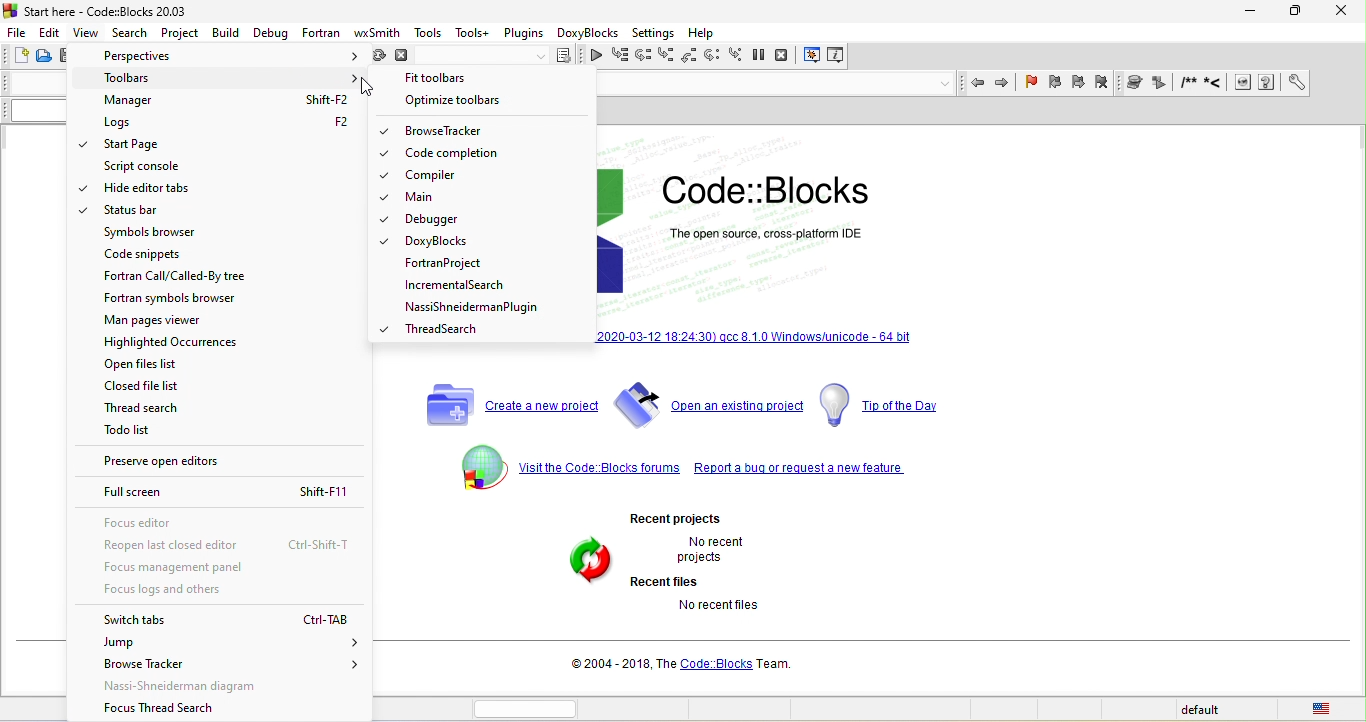 This screenshot has height=722, width=1366. What do you see at coordinates (787, 55) in the screenshot?
I see `stop debugger` at bounding box center [787, 55].